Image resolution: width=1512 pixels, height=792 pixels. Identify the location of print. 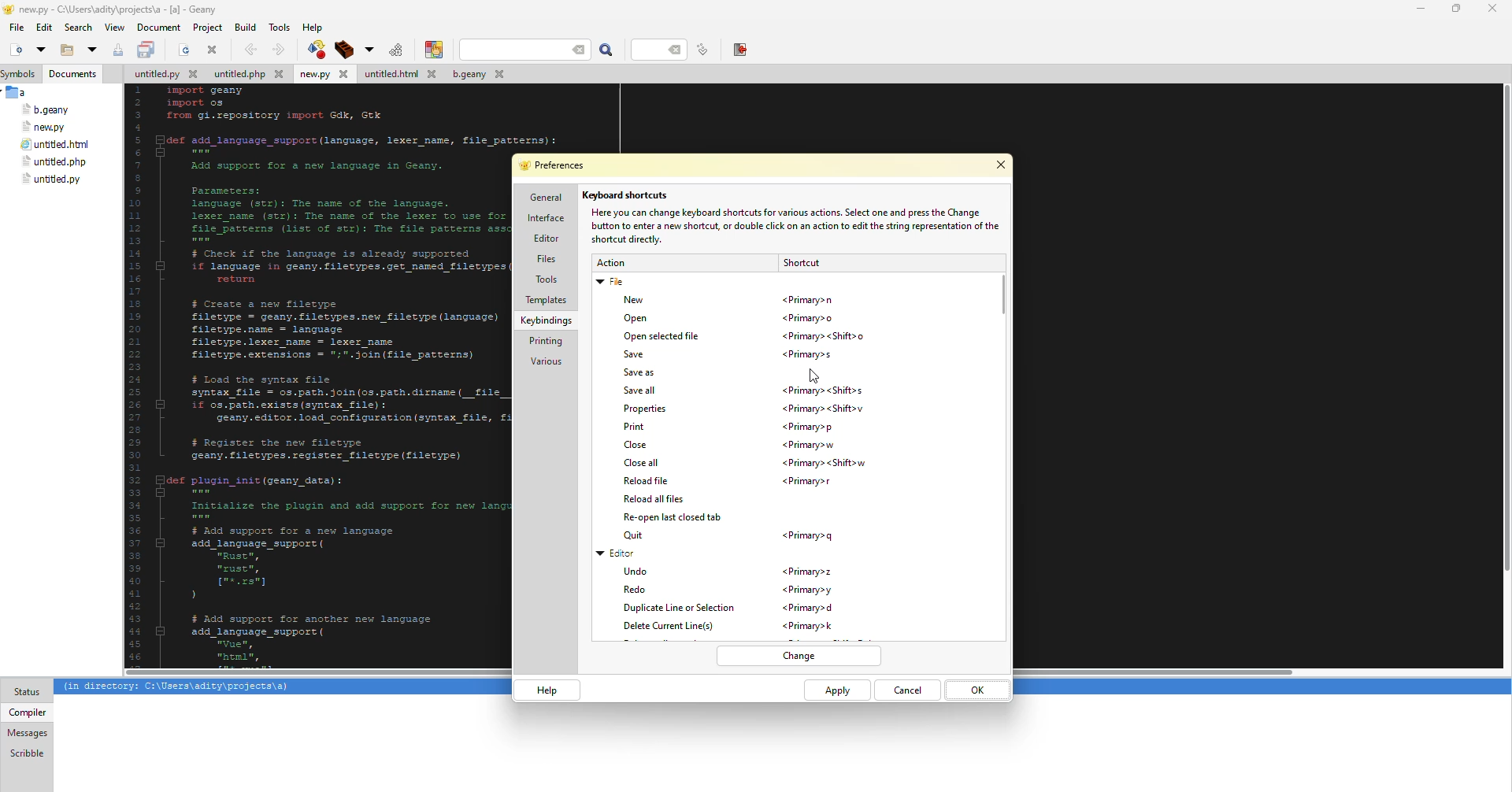
(632, 427).